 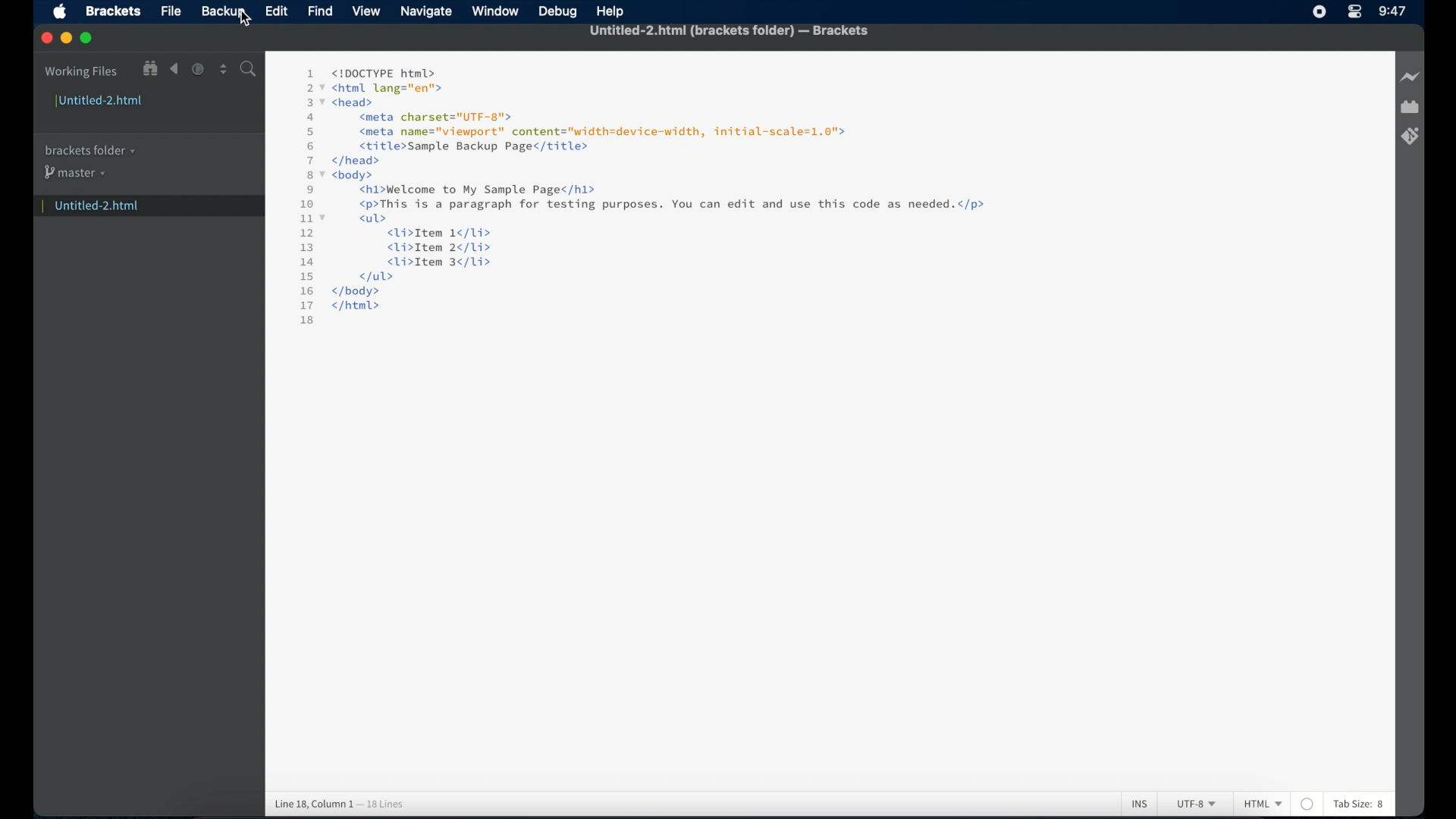 What do you see at coordinates (46, 39) in the screenshot?
I see `close` at bounding box center [46, 39].